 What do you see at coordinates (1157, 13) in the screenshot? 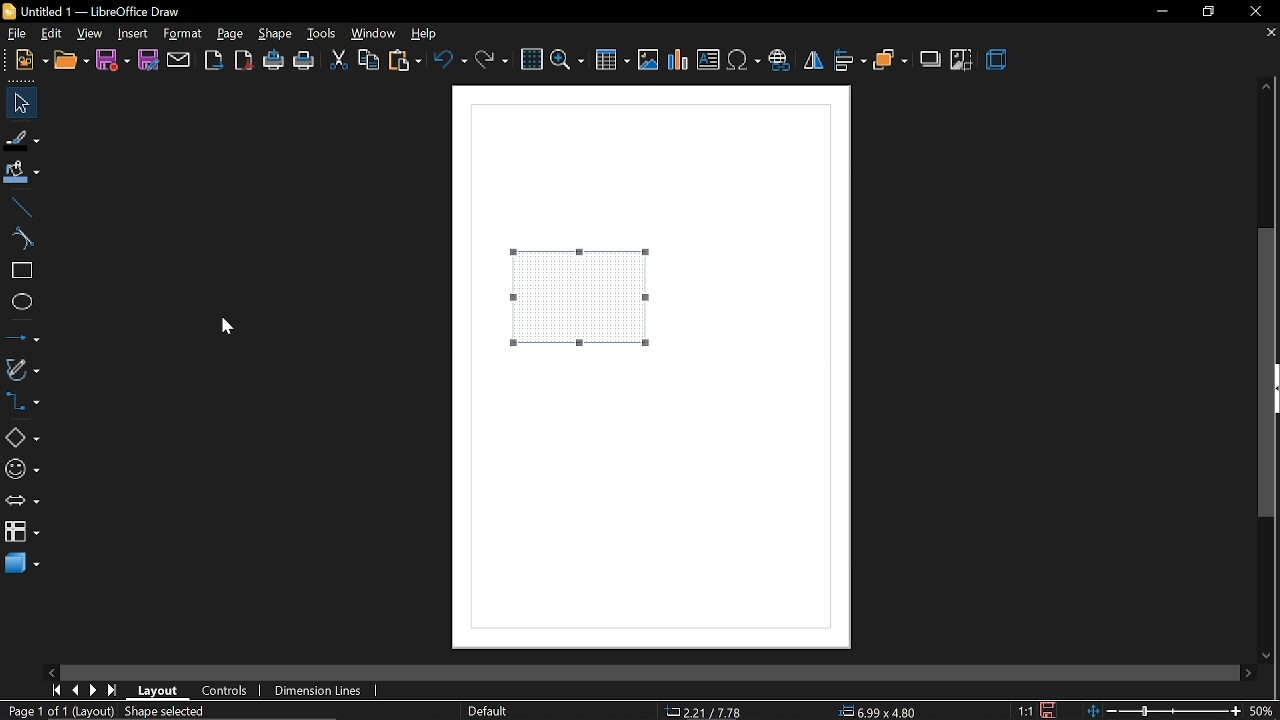
I see `minimize` at bounding box center [1157, 13].